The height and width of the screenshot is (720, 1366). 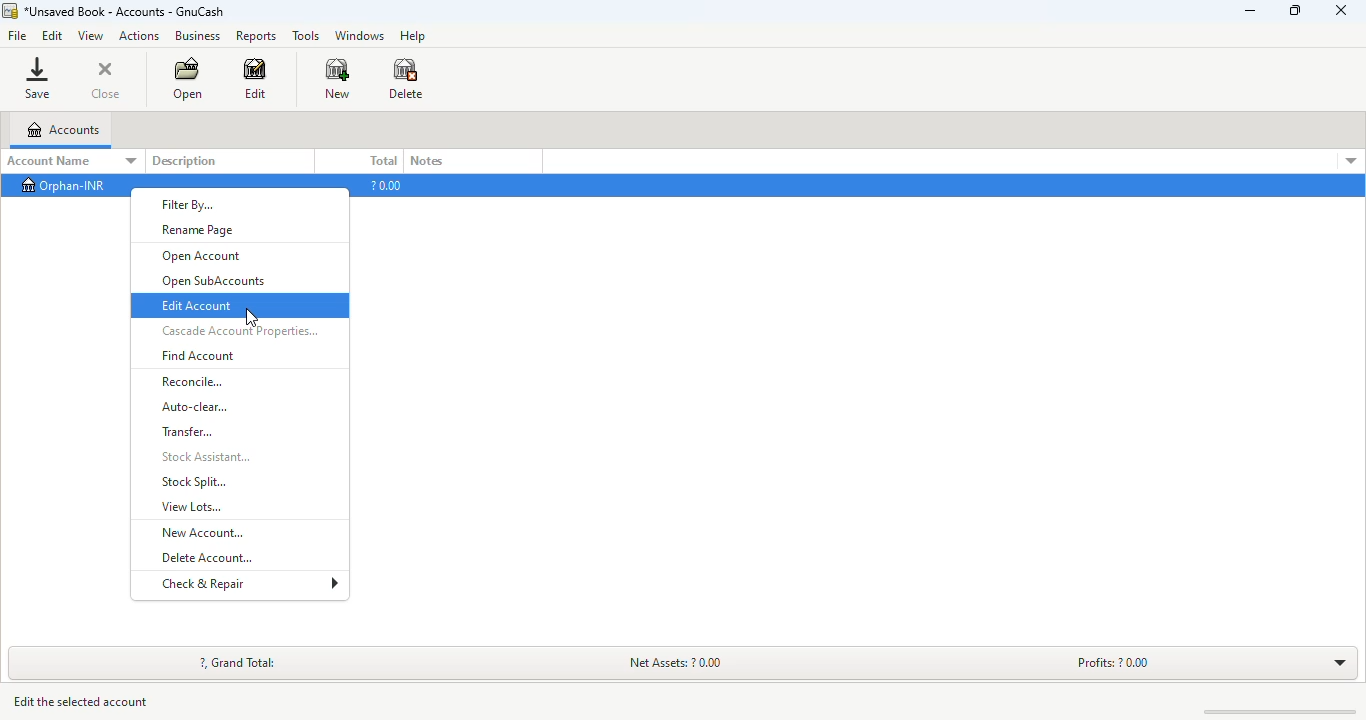 What do you see at coordinates (306, 37) in the screenshot?
I see `tools` at bounding box center [306, 37].